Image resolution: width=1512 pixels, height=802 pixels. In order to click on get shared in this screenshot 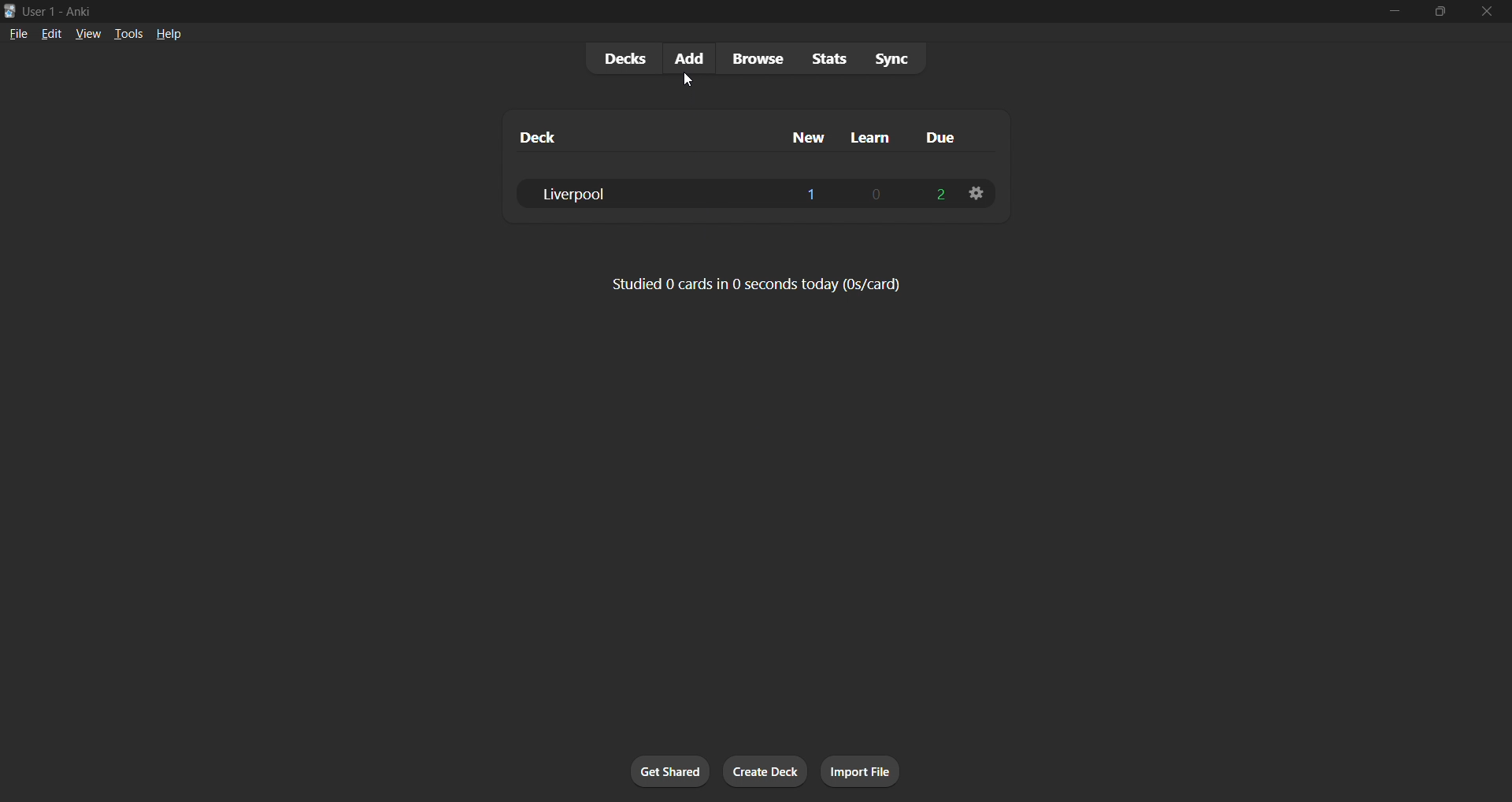, I will do `click(669, 771)`.